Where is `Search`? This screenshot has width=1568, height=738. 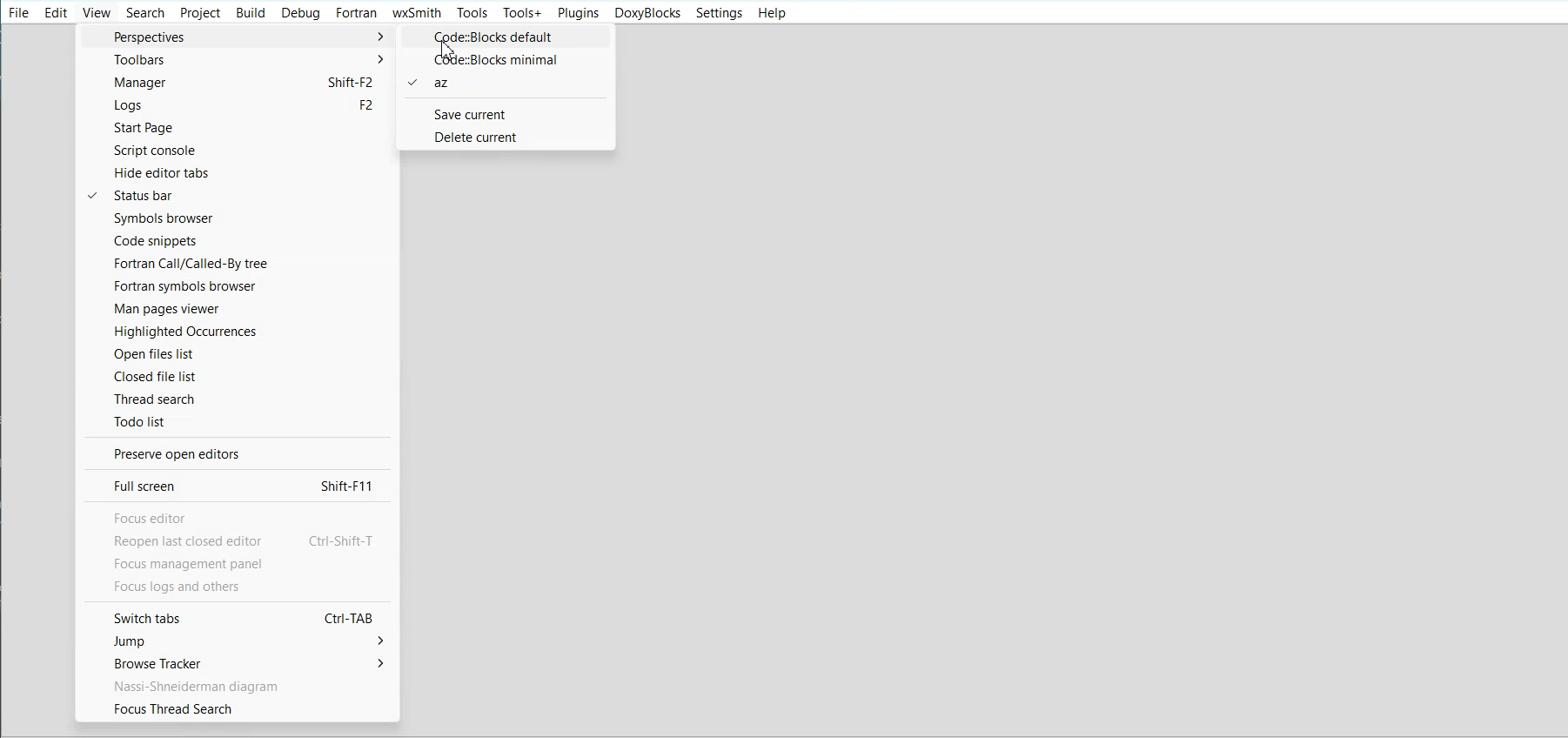
Search is located at coordinates (145, 12).